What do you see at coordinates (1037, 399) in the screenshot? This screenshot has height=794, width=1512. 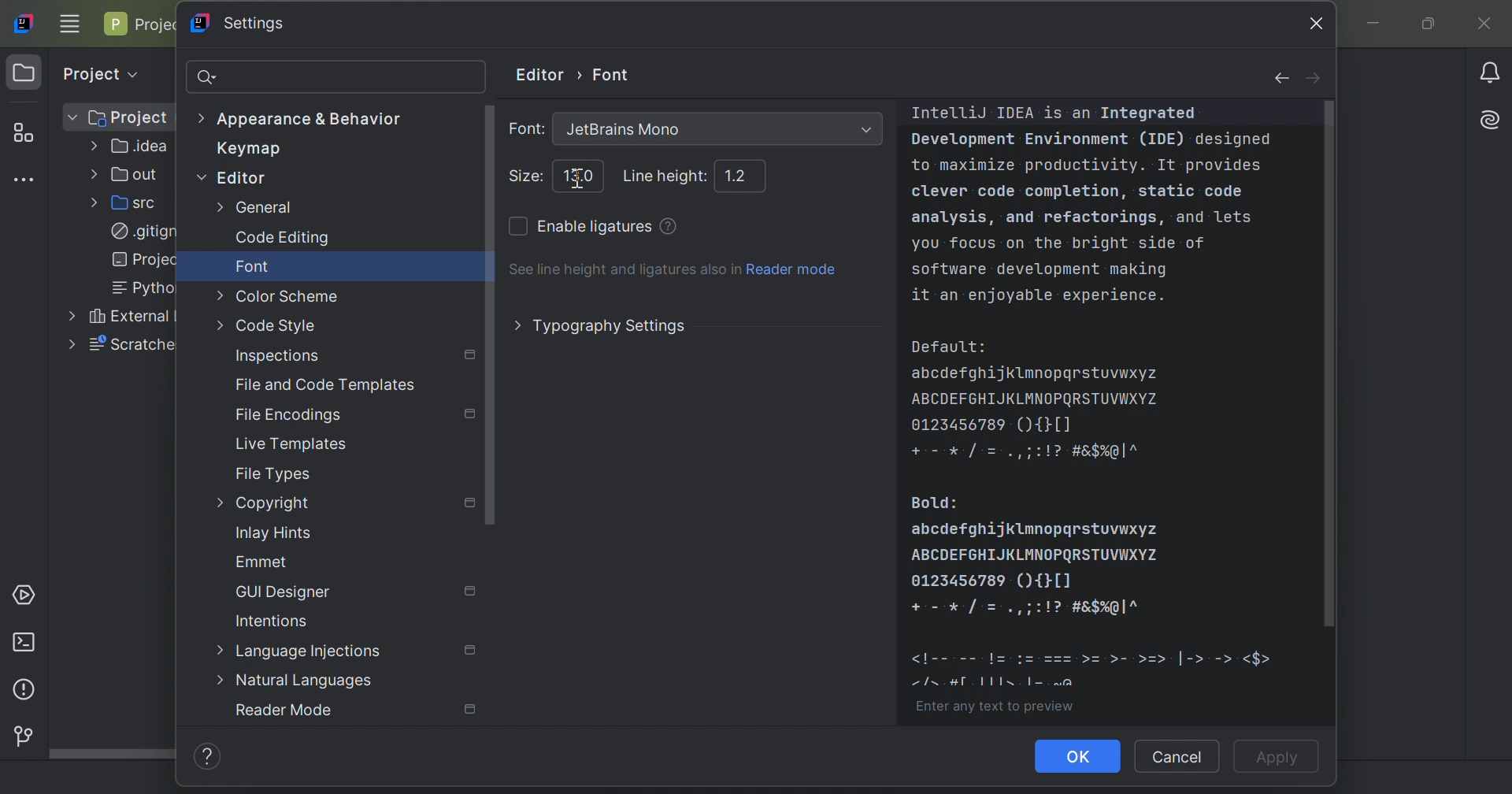 I see `ABCDEFGHIJKLMNOPQRSTUVWXYZ` at bounding box center [1037, 399].